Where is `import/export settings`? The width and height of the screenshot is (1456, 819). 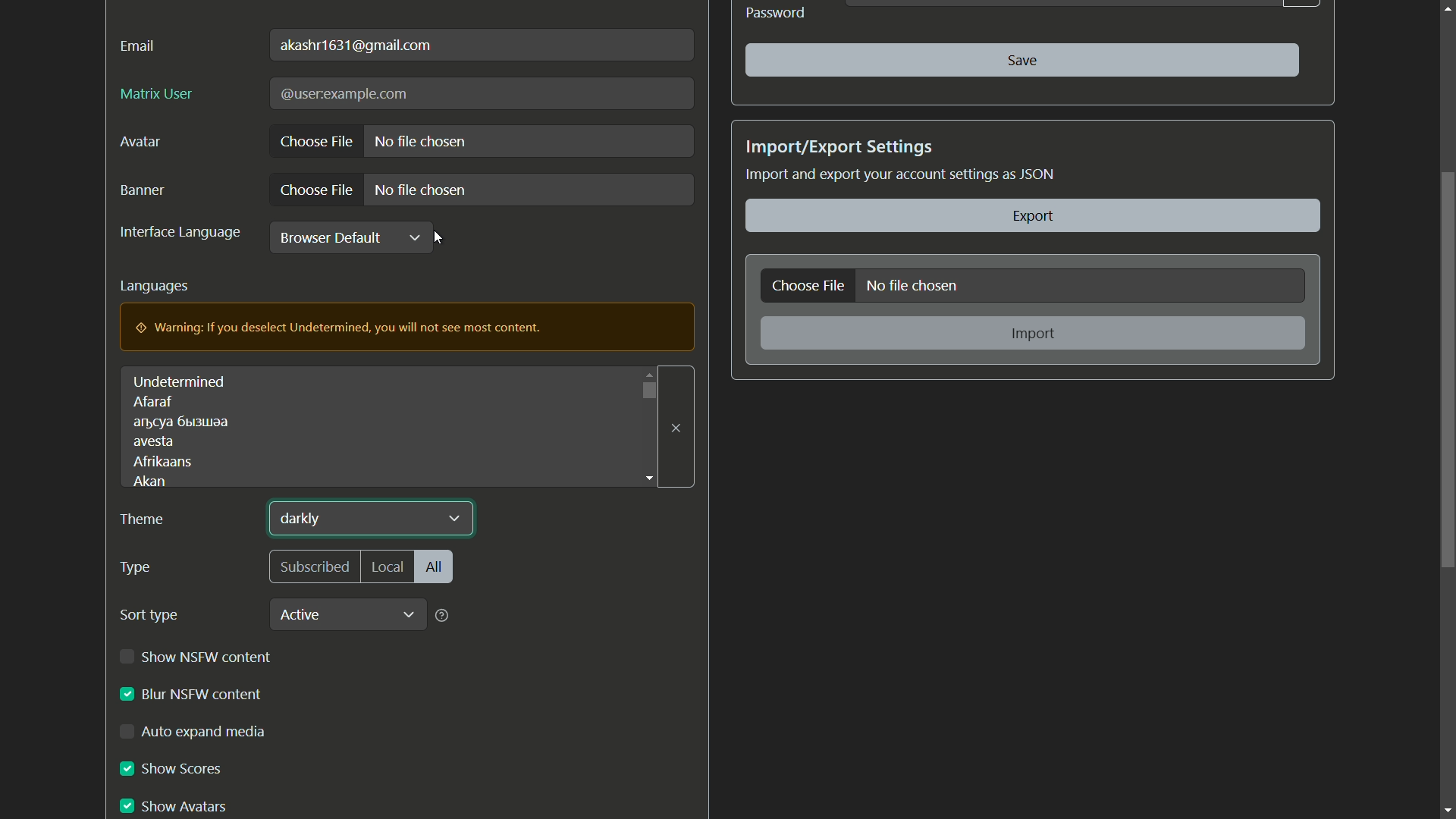
import/export settings is located at coordinates (839, 146).